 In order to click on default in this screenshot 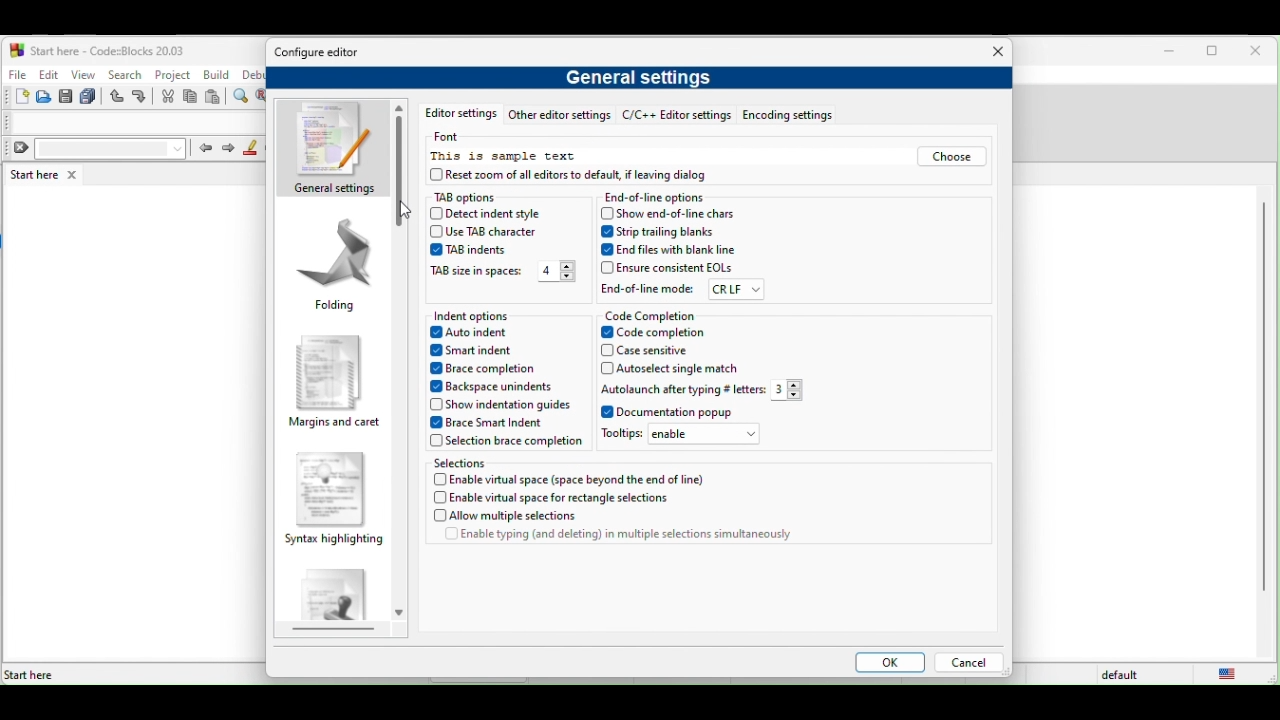, I will do `click(1123, 675)`.